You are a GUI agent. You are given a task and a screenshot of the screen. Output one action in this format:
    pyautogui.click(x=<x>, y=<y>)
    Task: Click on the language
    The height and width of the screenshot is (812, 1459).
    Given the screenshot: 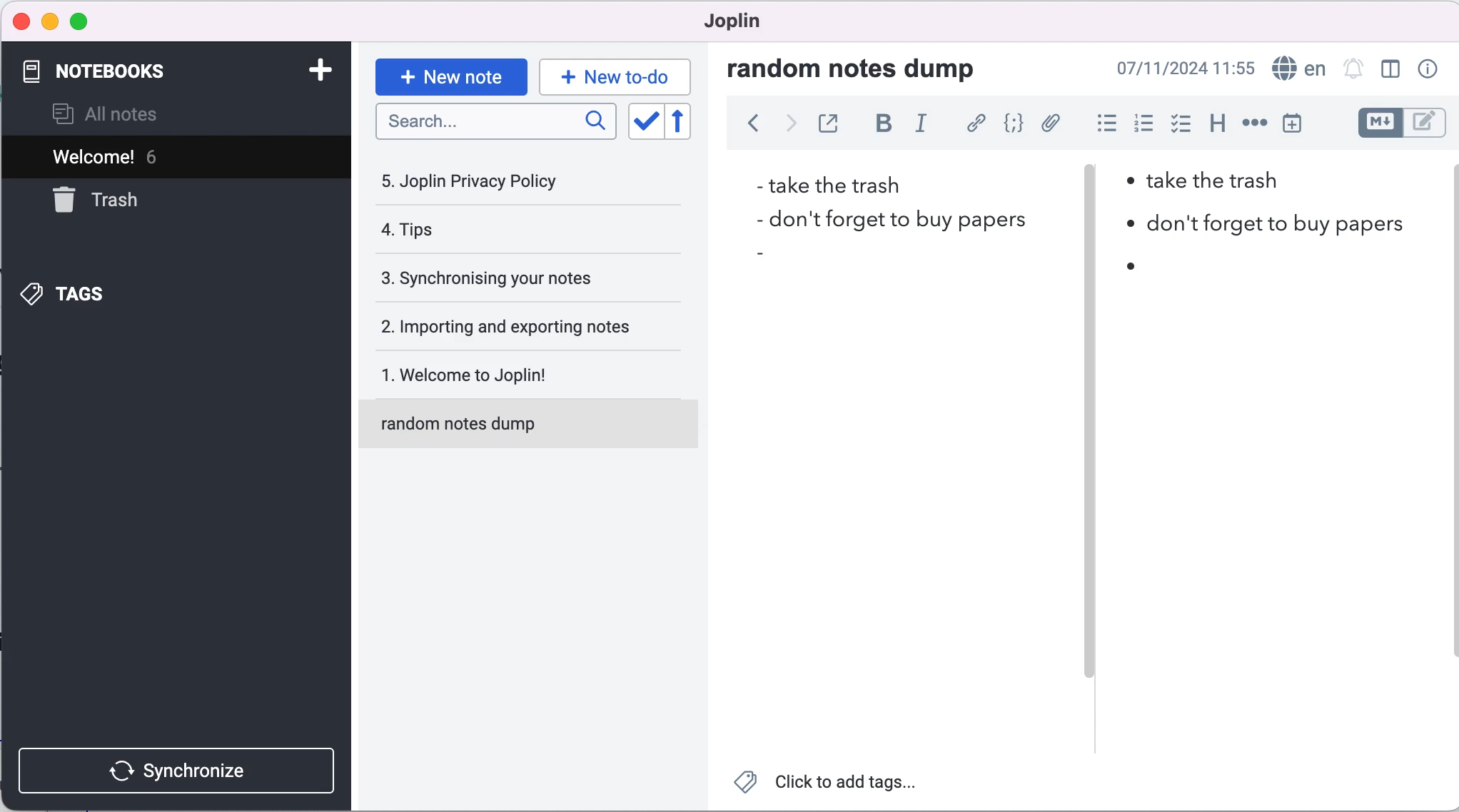 What is the action you would take?
    pyautogui.click(x=1298, y=67)
    